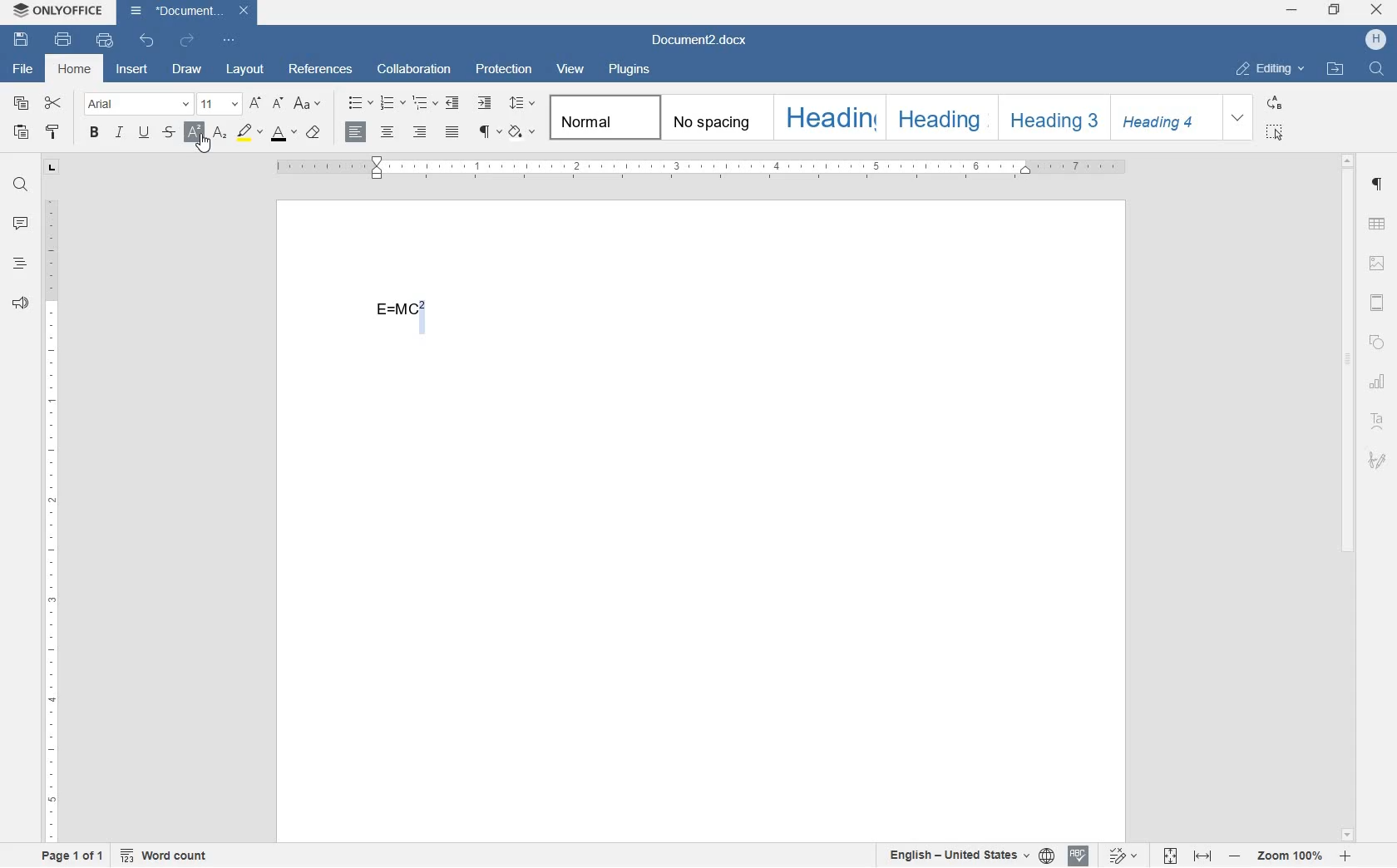  I want to click on plugins, so click(633, 70).